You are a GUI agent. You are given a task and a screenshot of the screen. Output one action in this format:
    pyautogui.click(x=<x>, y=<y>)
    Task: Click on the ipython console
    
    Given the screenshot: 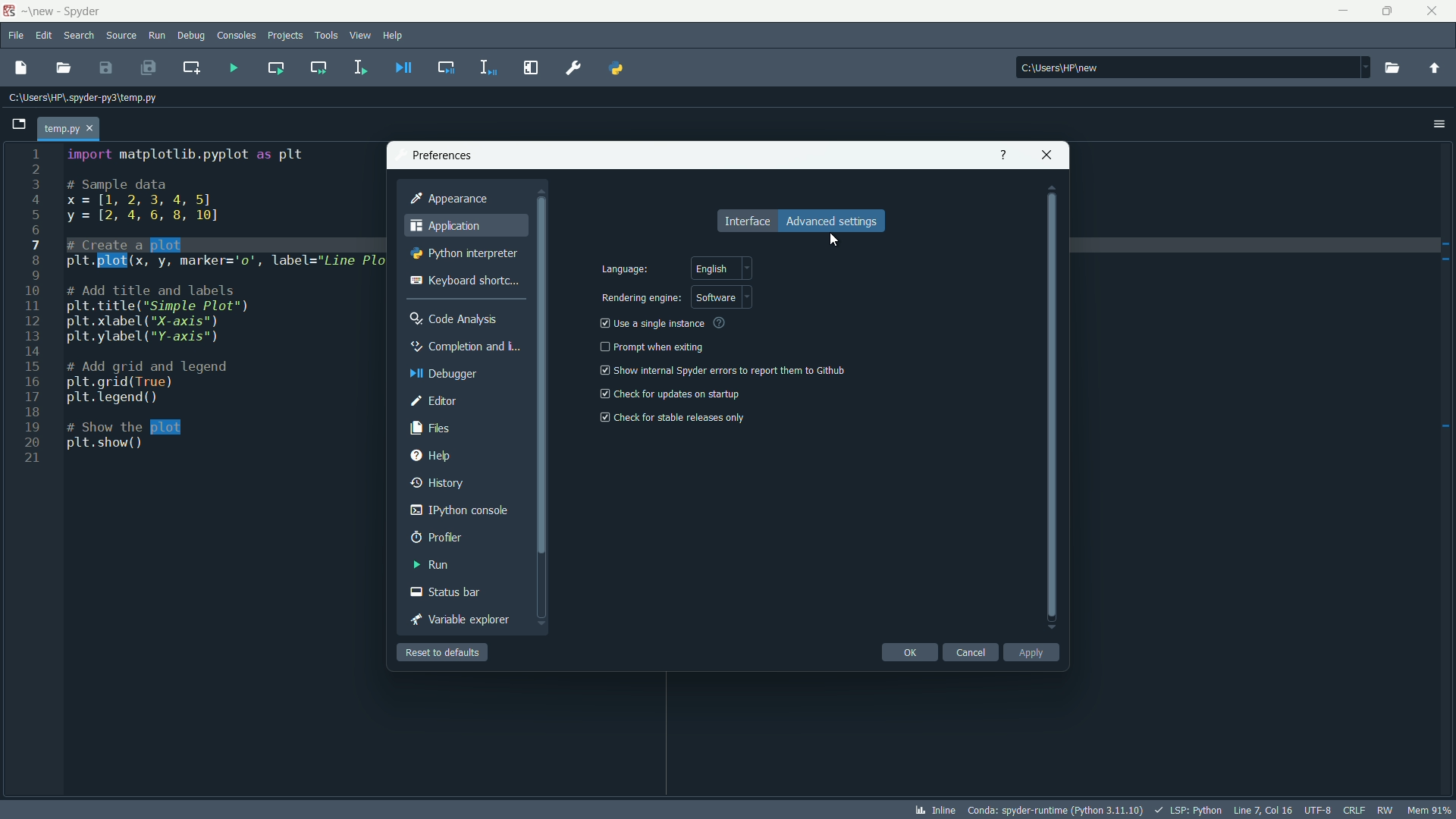 What is the action you would take?
    pyautogui.click(x=458, y=510)
    